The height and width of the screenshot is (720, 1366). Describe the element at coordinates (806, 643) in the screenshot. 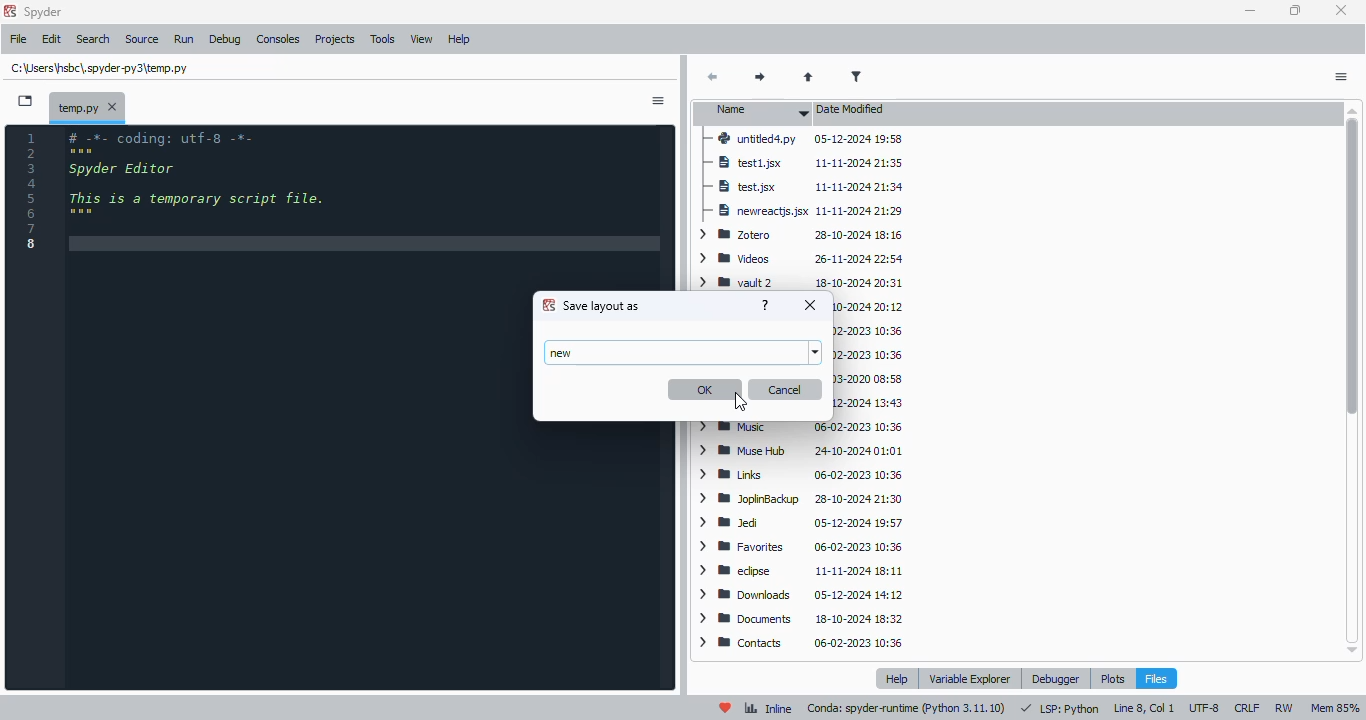

I see `contacts` at that location.